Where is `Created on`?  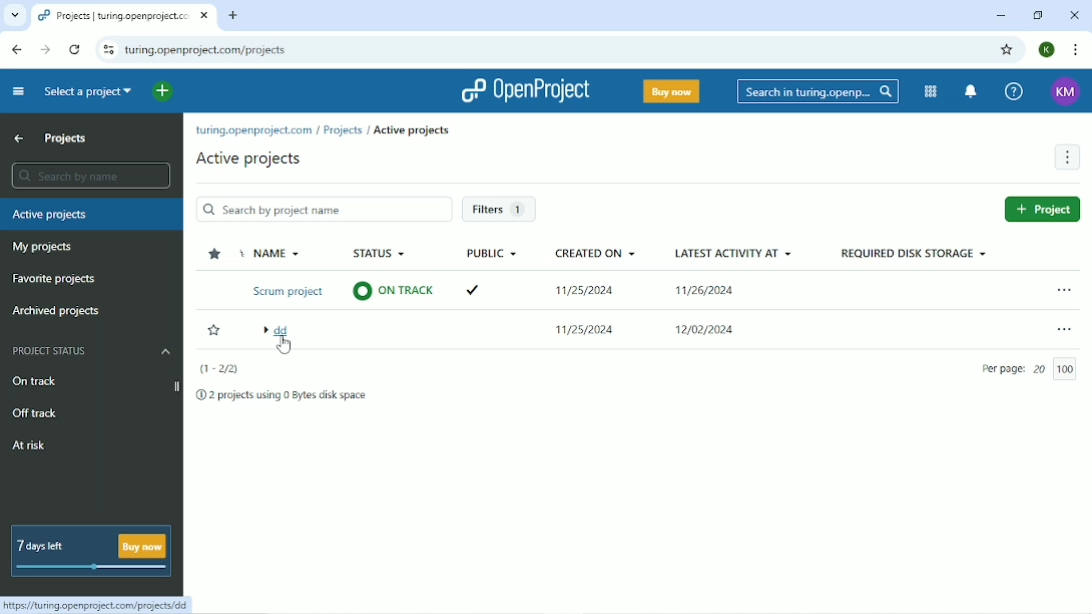
Created on is located at coordinates (586, 293).